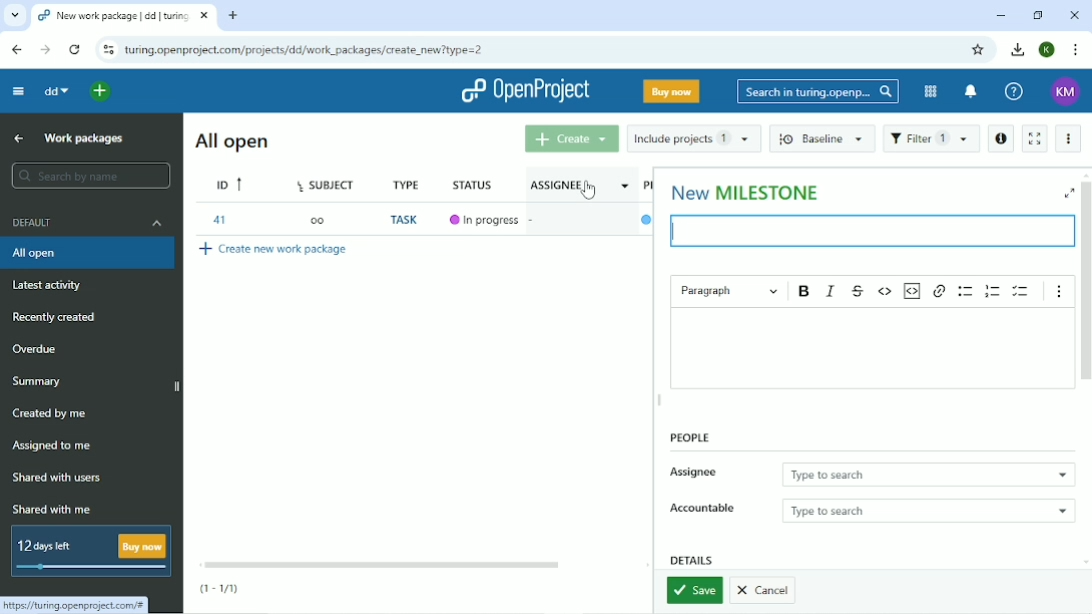 The height and width of the screenshot is (614, 1092). I want to click on Restore down, so click(1039, 16).